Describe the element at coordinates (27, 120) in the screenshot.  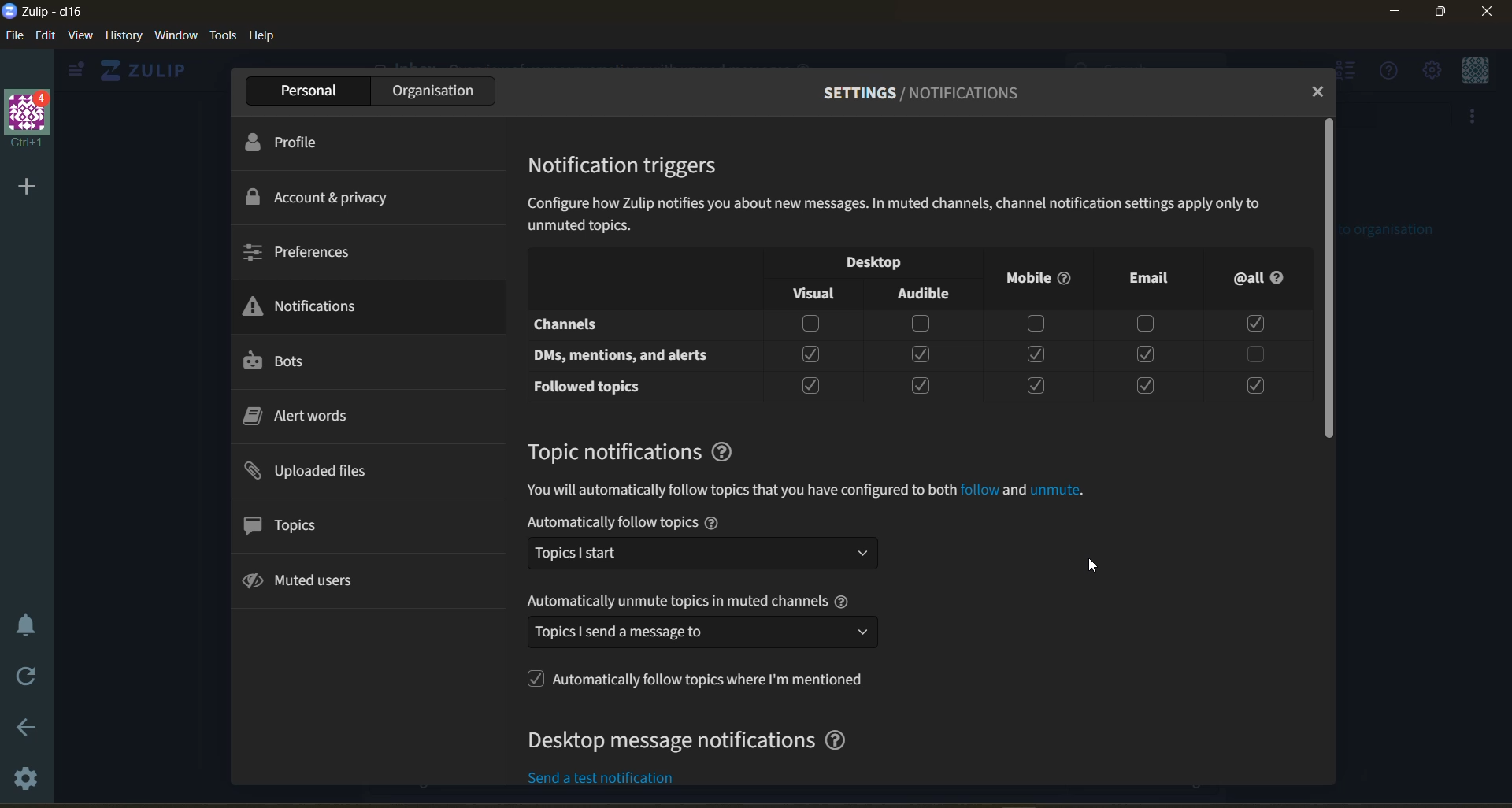
I see `organisation name and profile picture` at that location.